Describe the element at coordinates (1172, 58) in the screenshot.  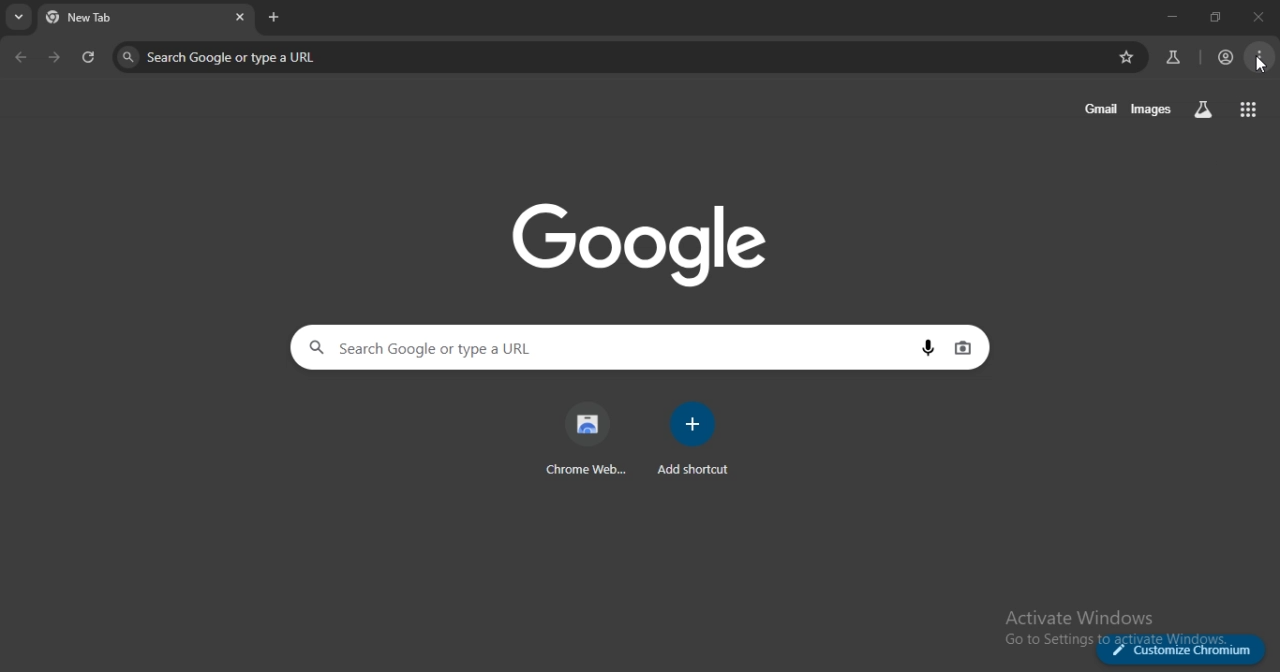
I see `search labs` at that location.